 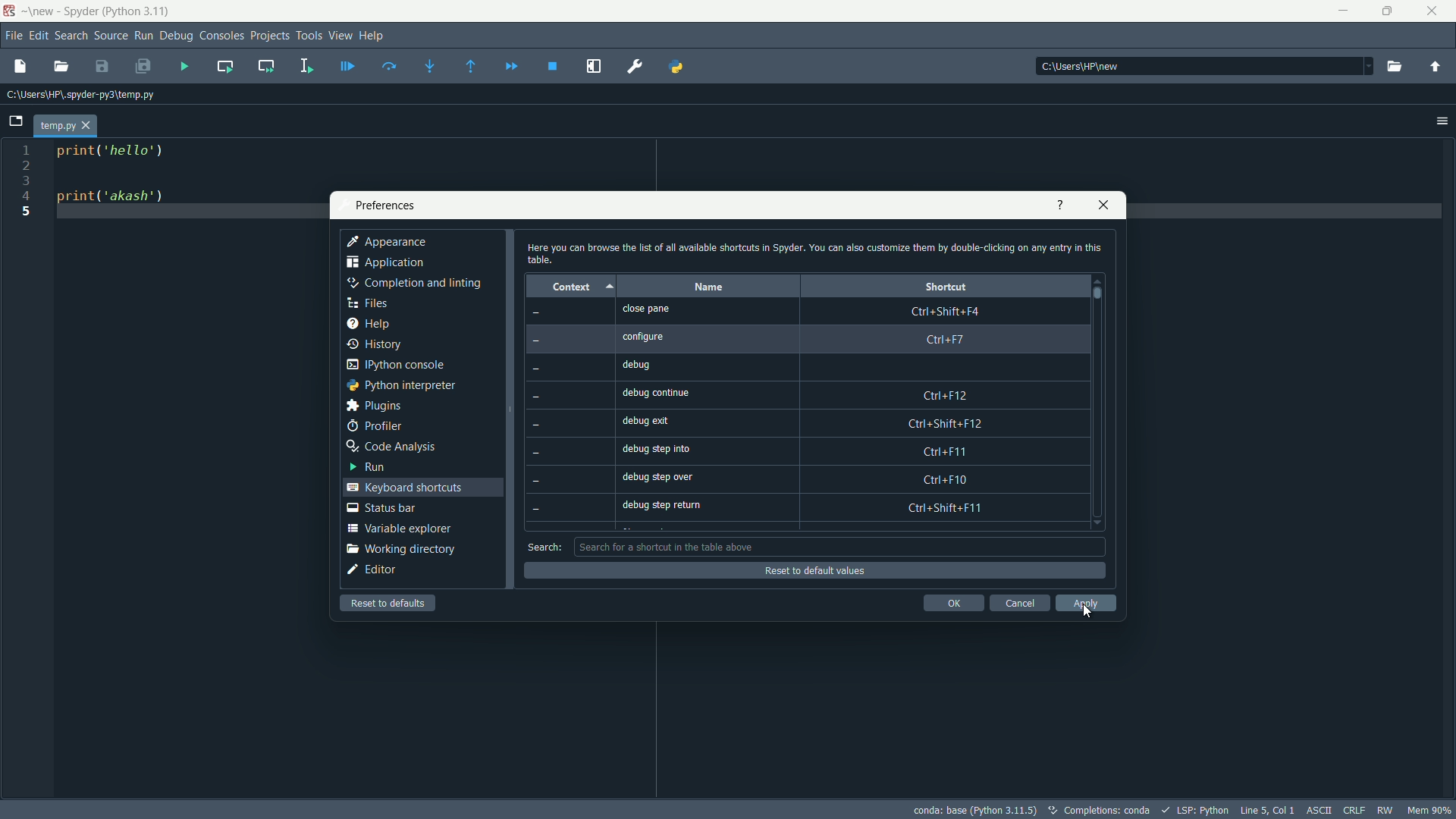 I want to click on line numbers, so click(x=27, y=182).